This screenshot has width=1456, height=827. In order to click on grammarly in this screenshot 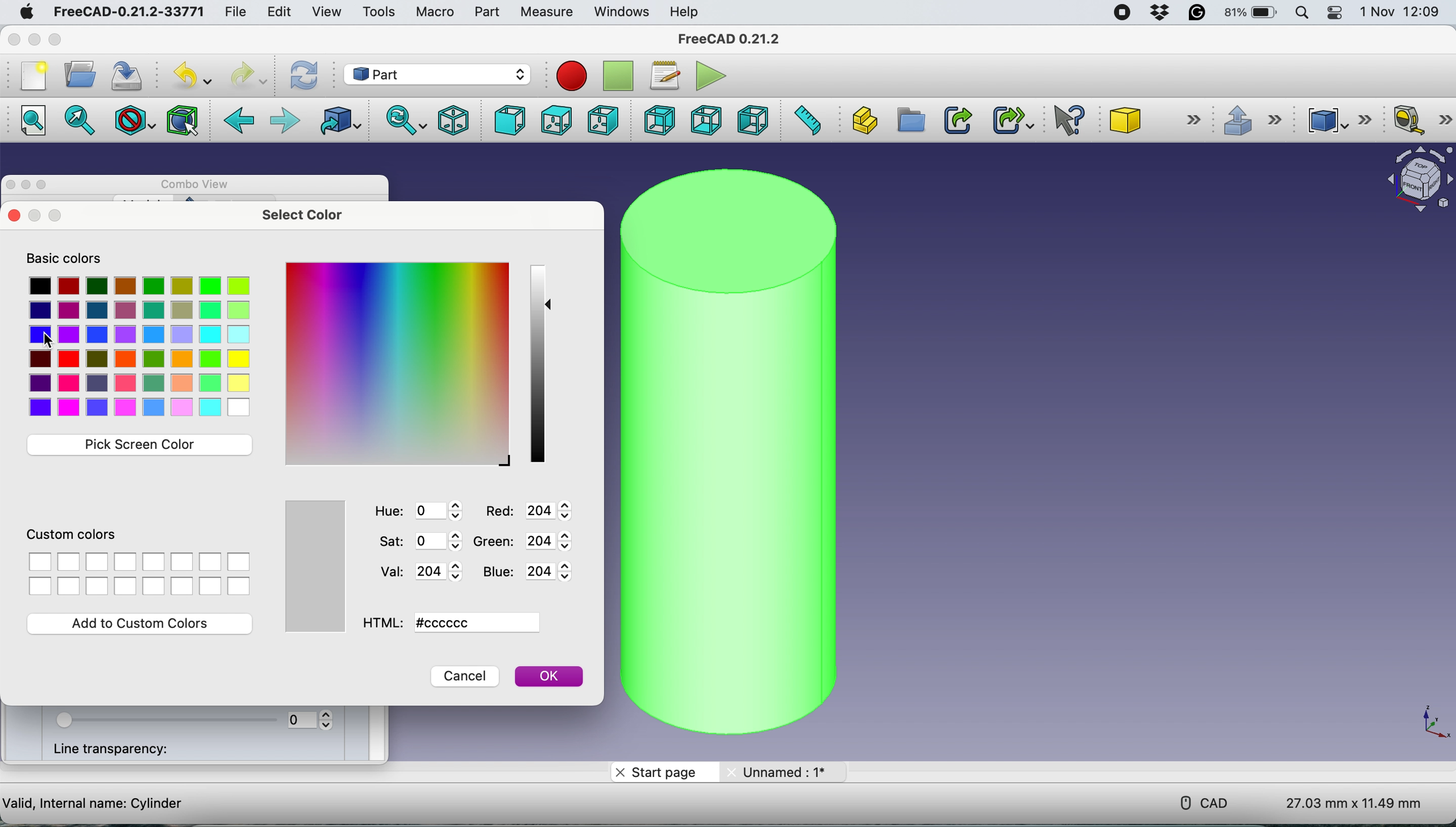, I will do `click(1197, 14)`.